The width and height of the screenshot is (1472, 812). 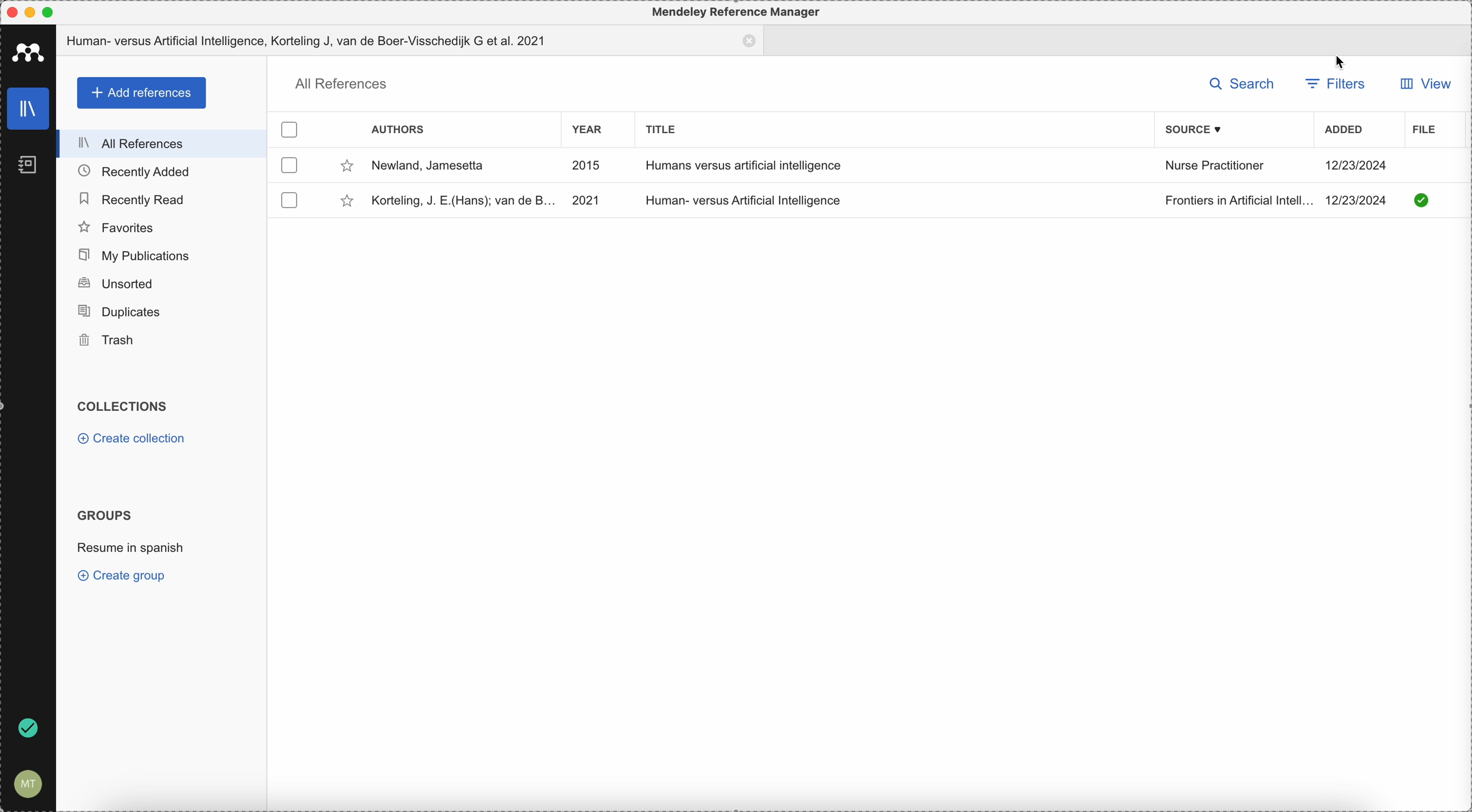 What do you see at coordinates (33, 11) in the screenshot?
I see `minimize Mendeley` at bounding box center [33, 11].